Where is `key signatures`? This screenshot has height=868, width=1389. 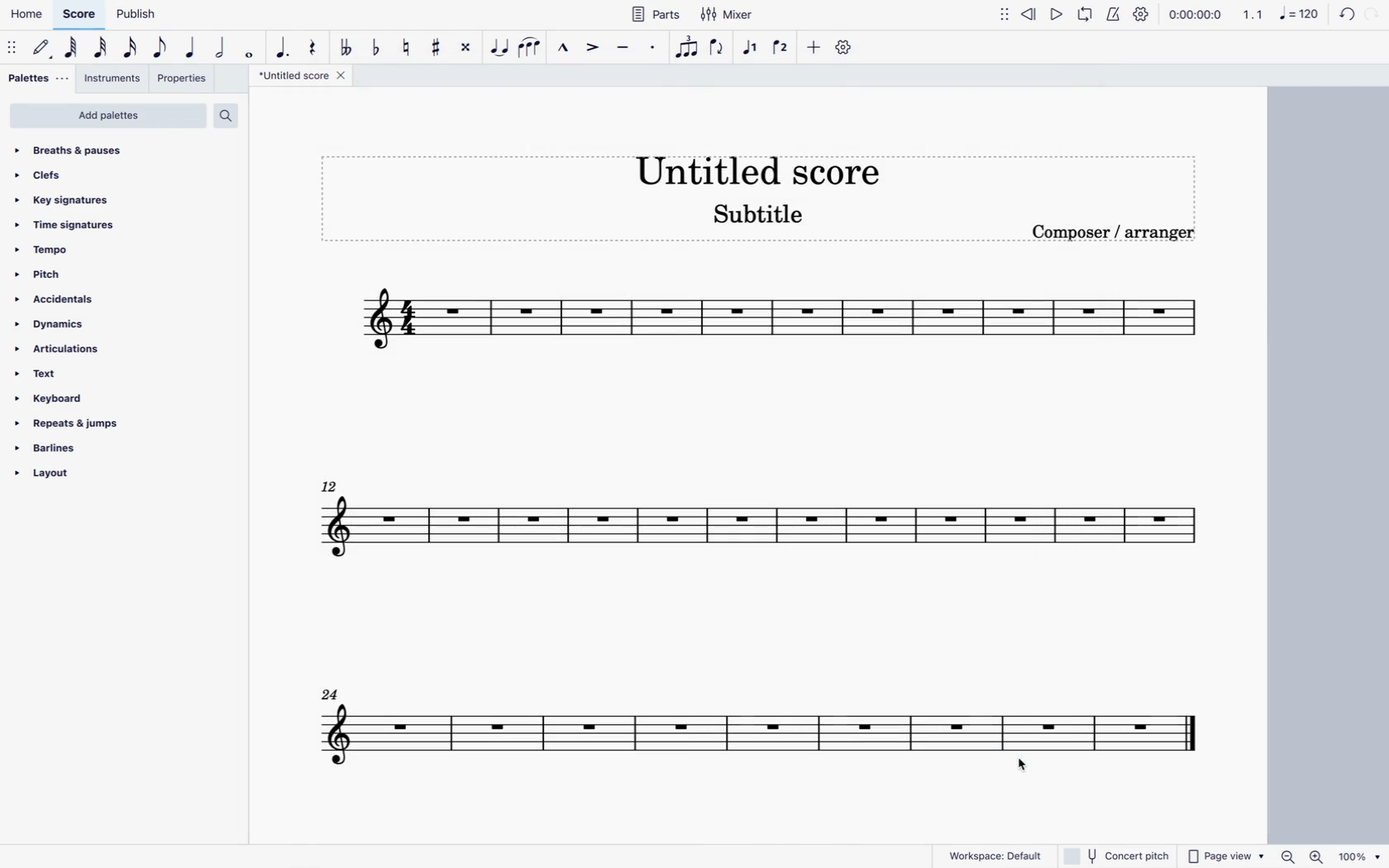 key signatures is located at coordinates (69, 200).